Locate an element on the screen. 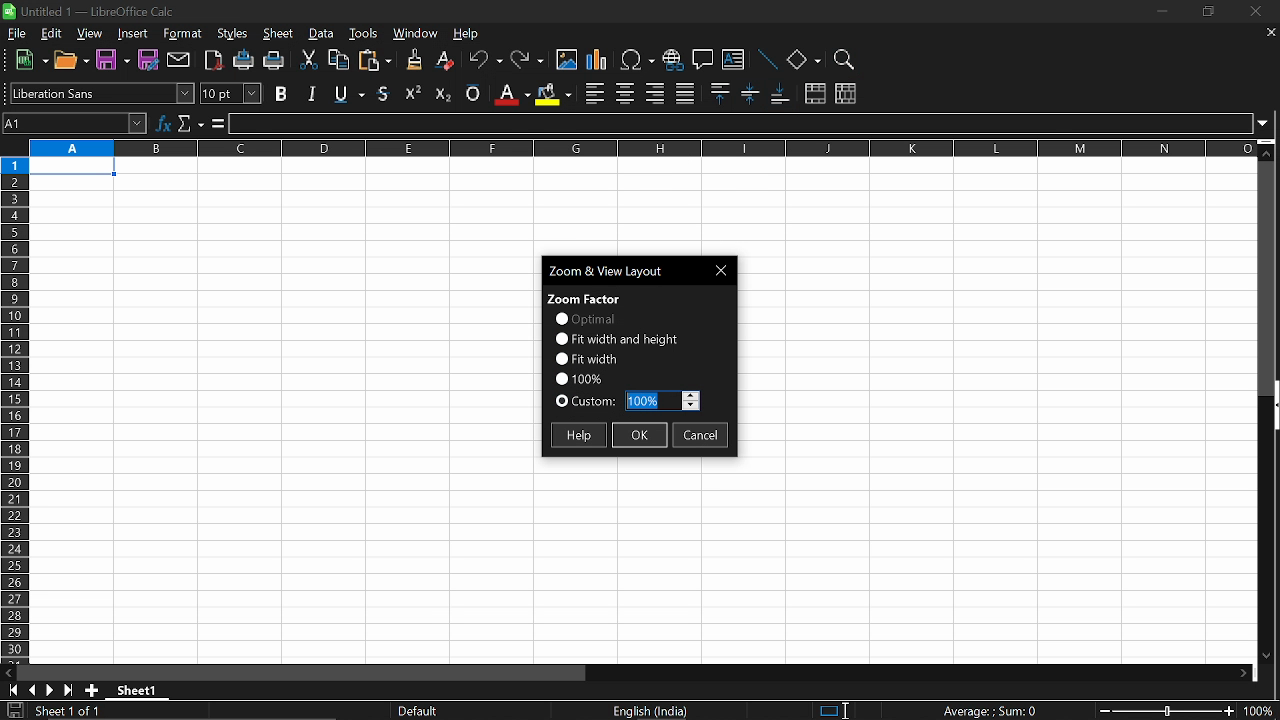 This screenshot has height=720, width=1280. file is located at coordinates (18, 34).